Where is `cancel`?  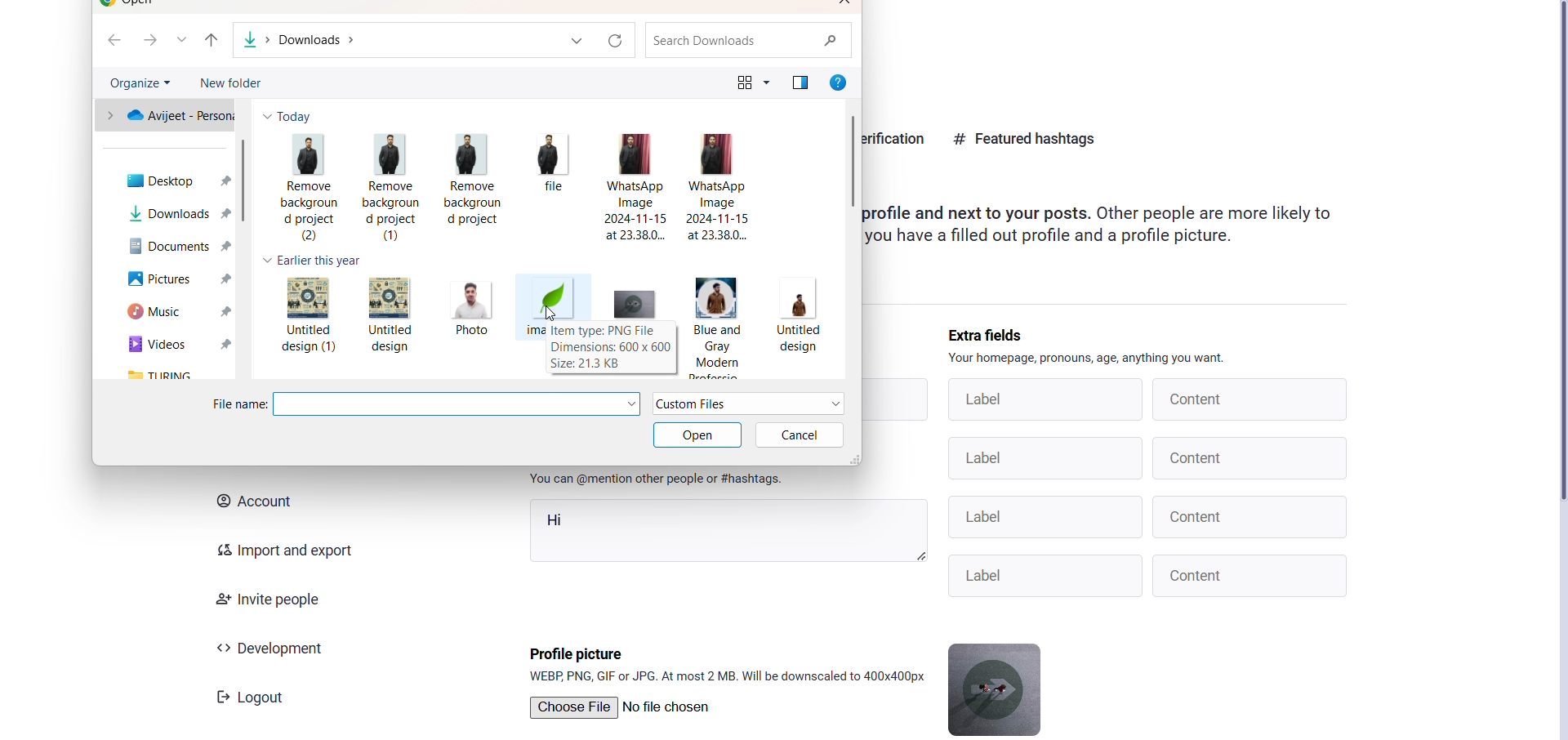
cancel is located at coordinates (800, 435).